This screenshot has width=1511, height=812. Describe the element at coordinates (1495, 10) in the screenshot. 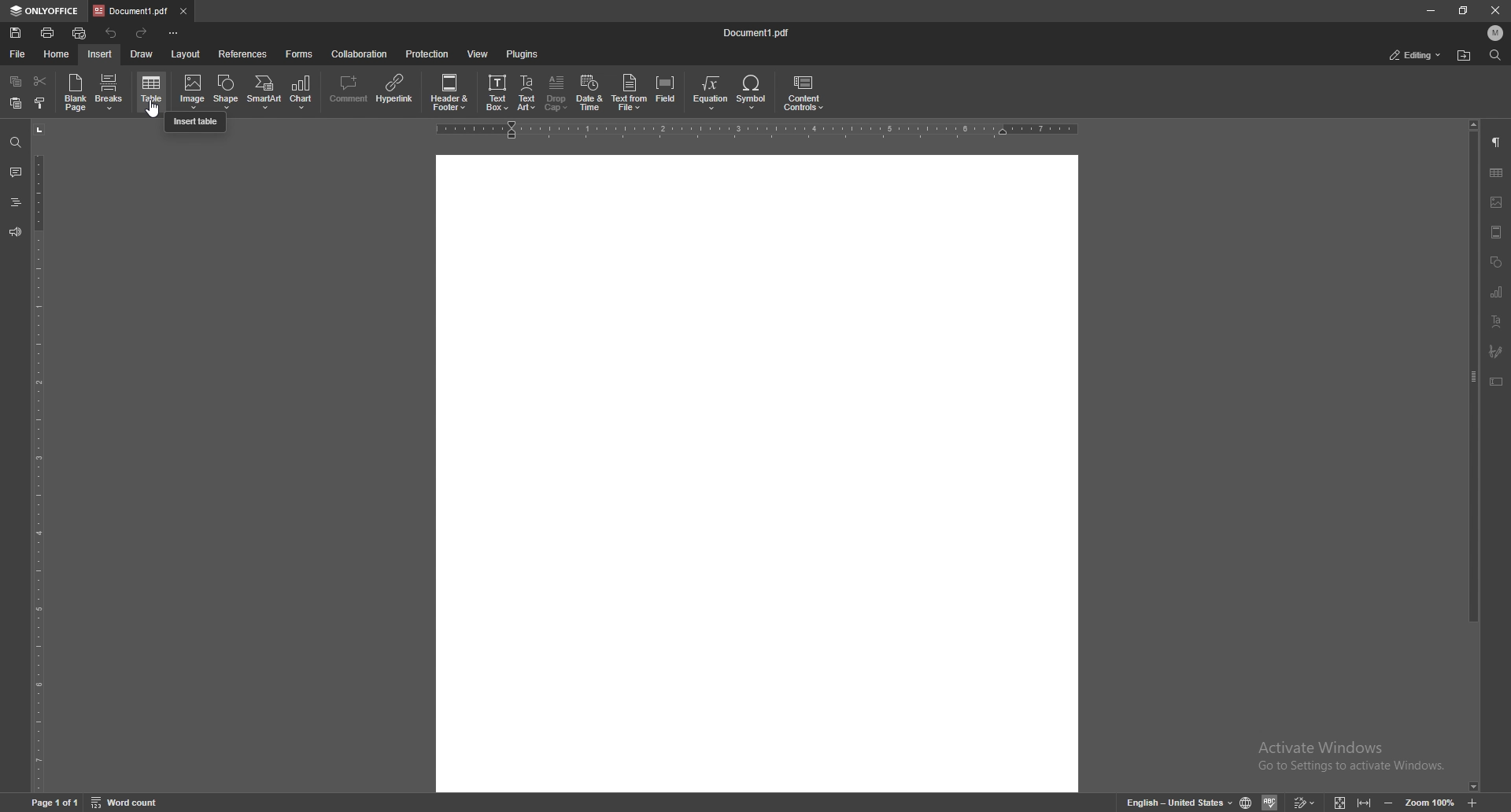

I see `close` at that location.